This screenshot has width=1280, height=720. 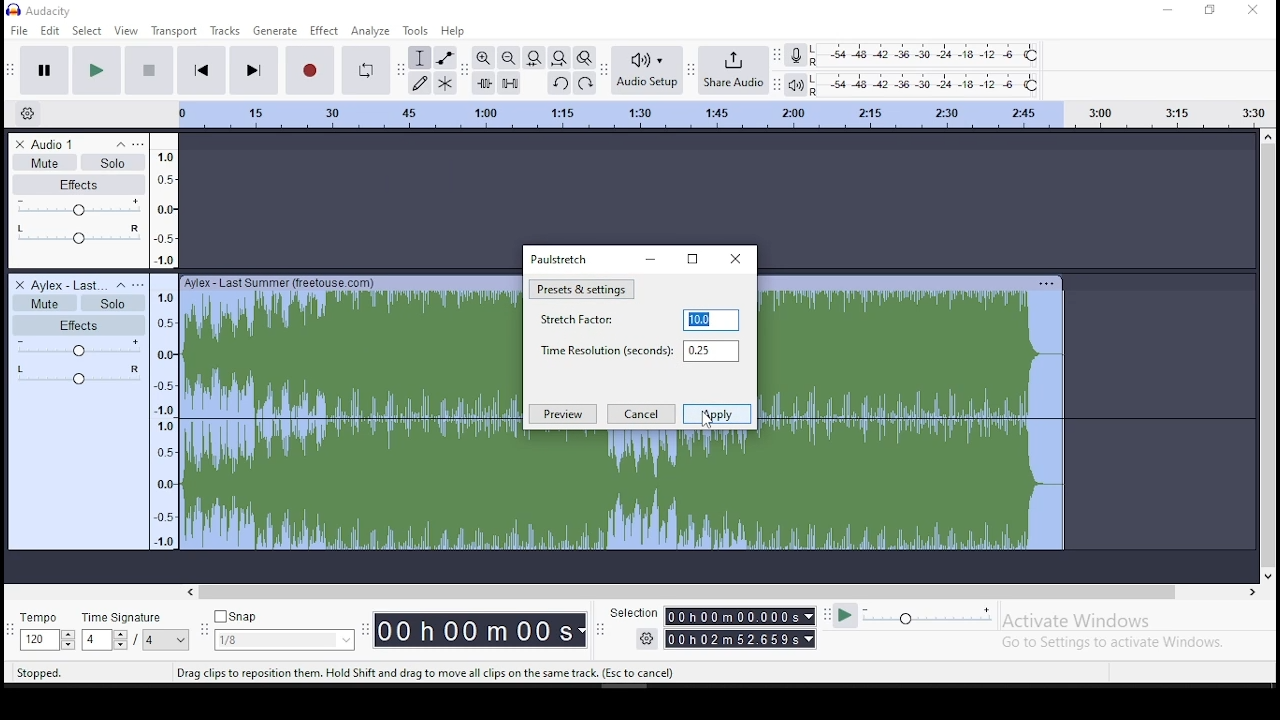 What do you see at coordinates (19, 142) in the screenshot?
I see `delete track` at bounding box center [19, 142].